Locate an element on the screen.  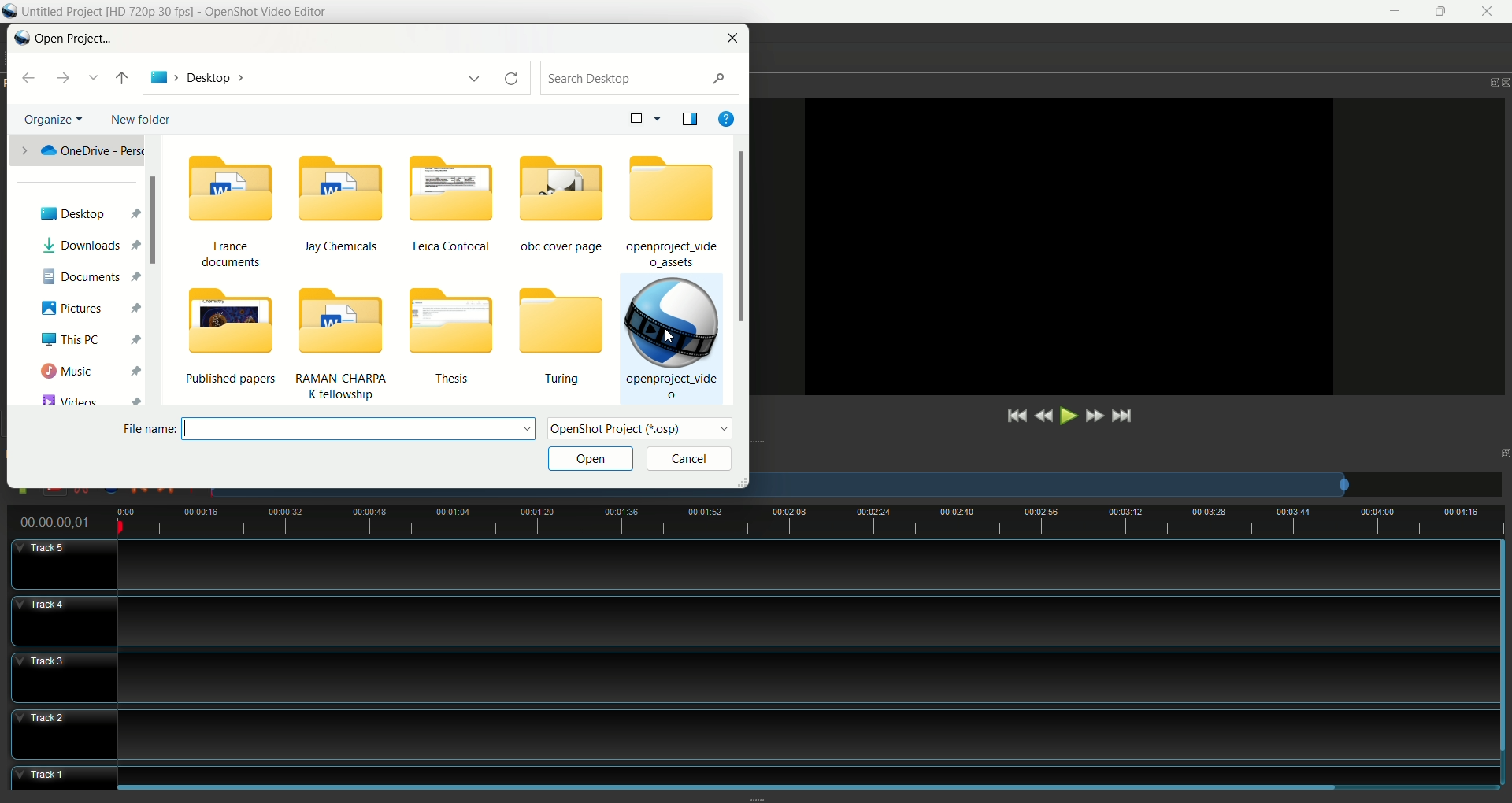
minimize is located at coordinates (1392, 12).